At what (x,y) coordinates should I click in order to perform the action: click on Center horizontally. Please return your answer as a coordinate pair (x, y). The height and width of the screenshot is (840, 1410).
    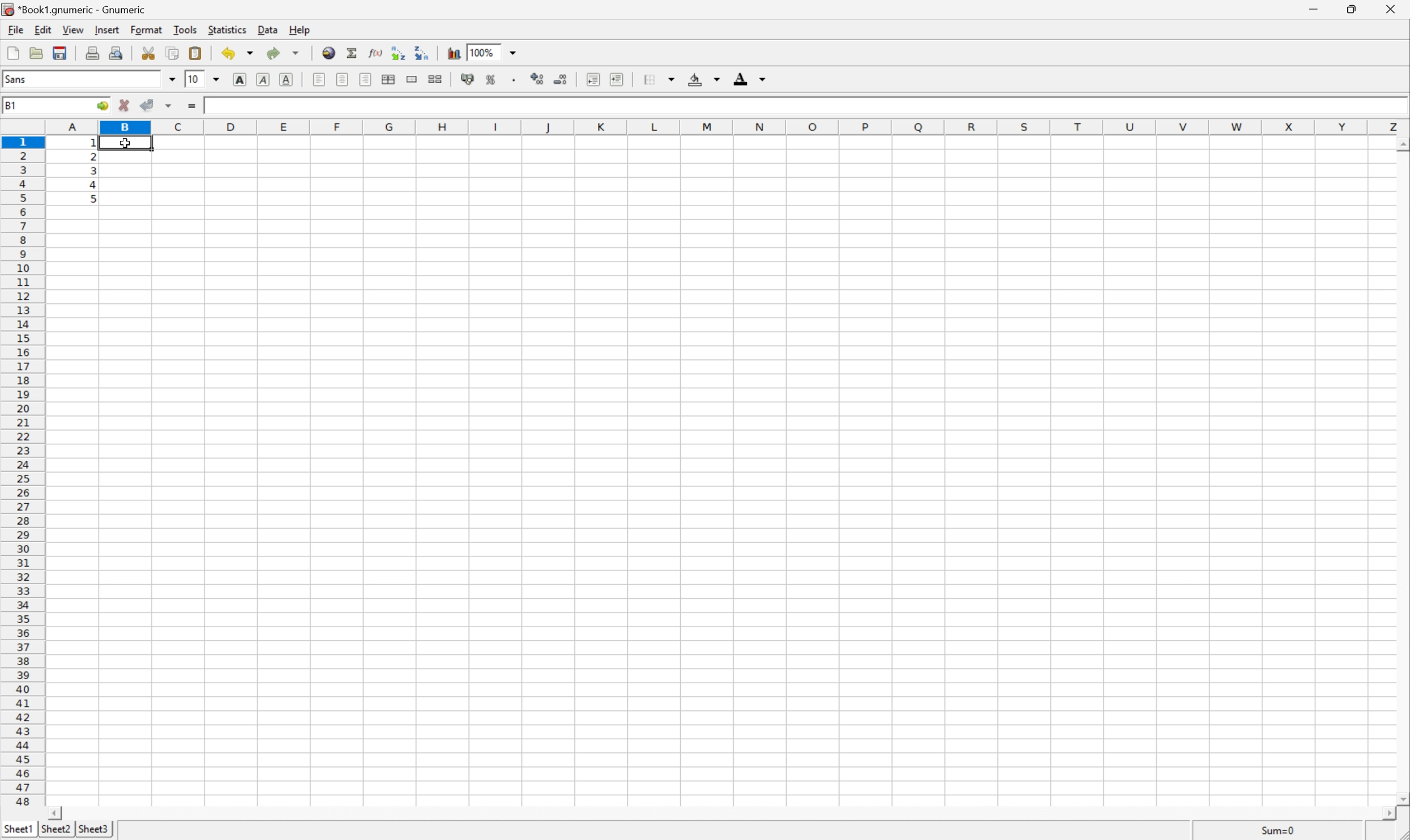
    Looking at the image, I should click on (342, 78).